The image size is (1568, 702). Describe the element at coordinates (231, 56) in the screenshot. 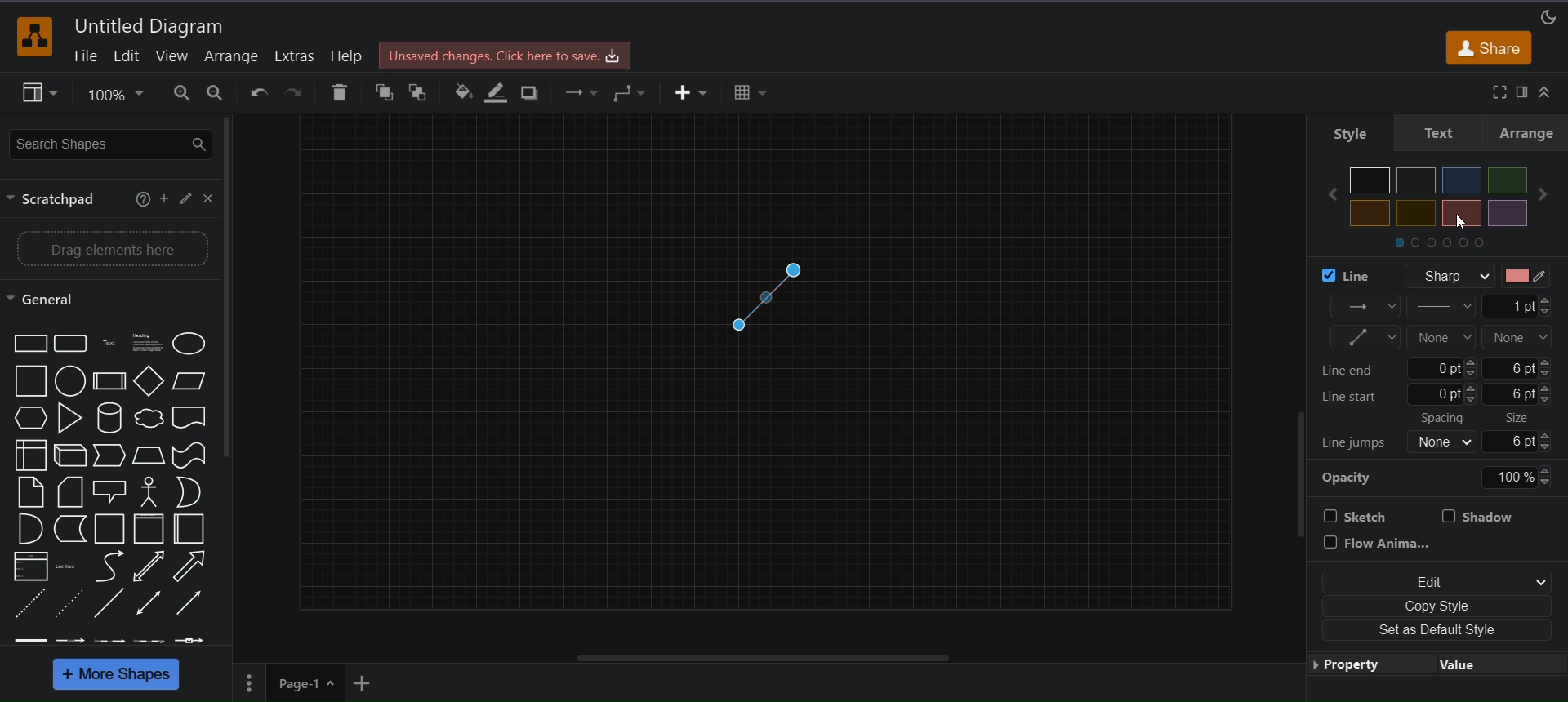

I see `arrange` at that location.